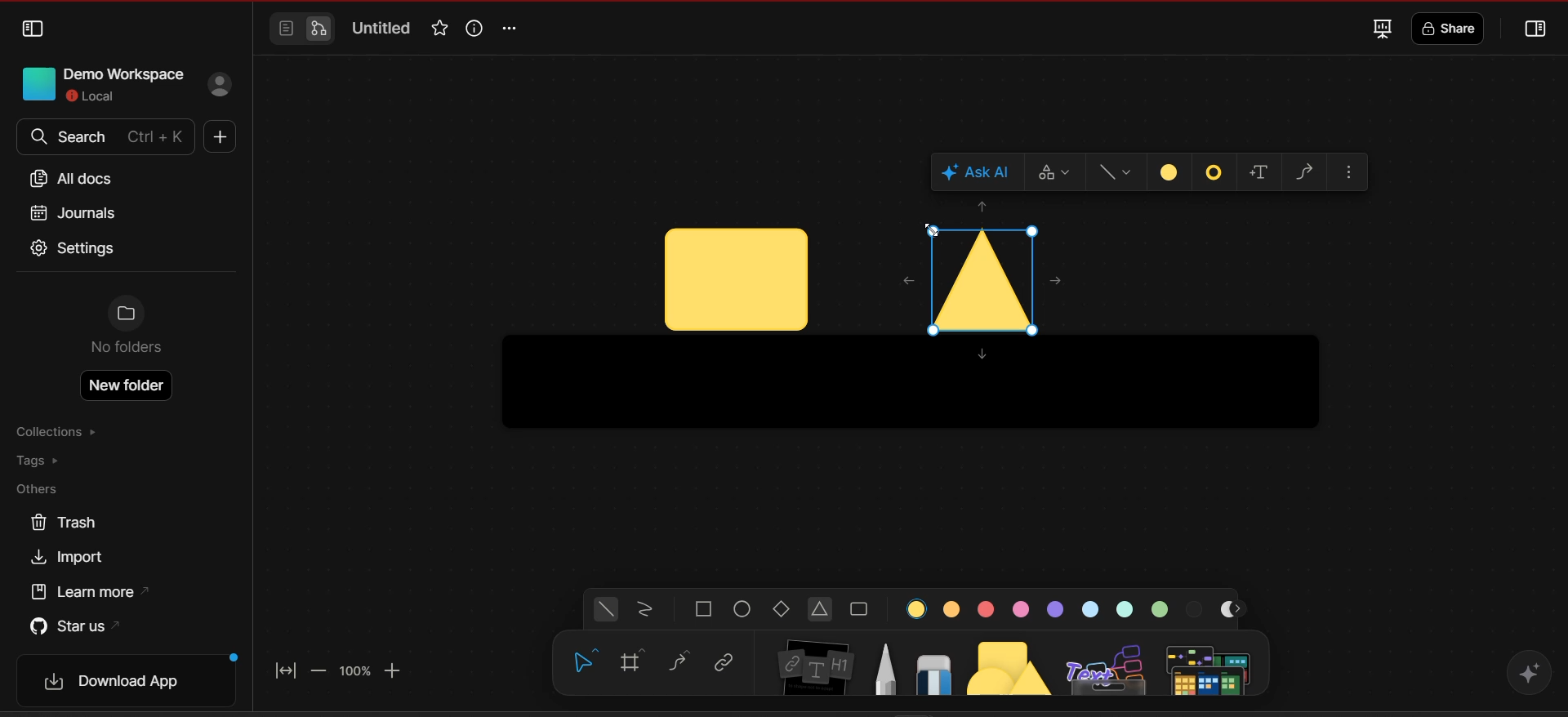 Image resolution: width=1568 pixels, height=717 pixels. Describe the element at coordinates (724, 663) in the screenshot. I see `link` at that location.